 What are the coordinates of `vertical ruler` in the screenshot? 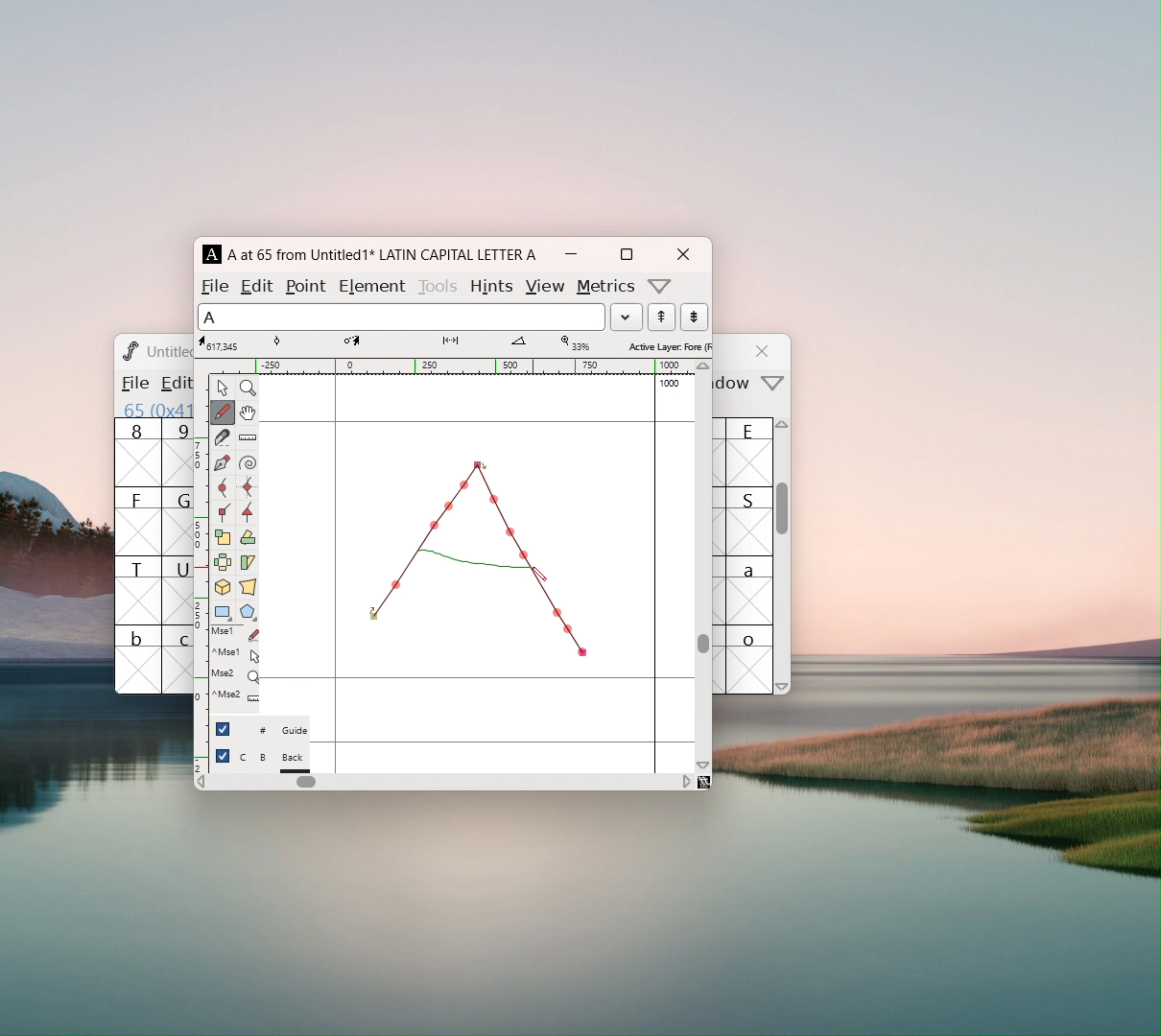 It's located at (201, 572).